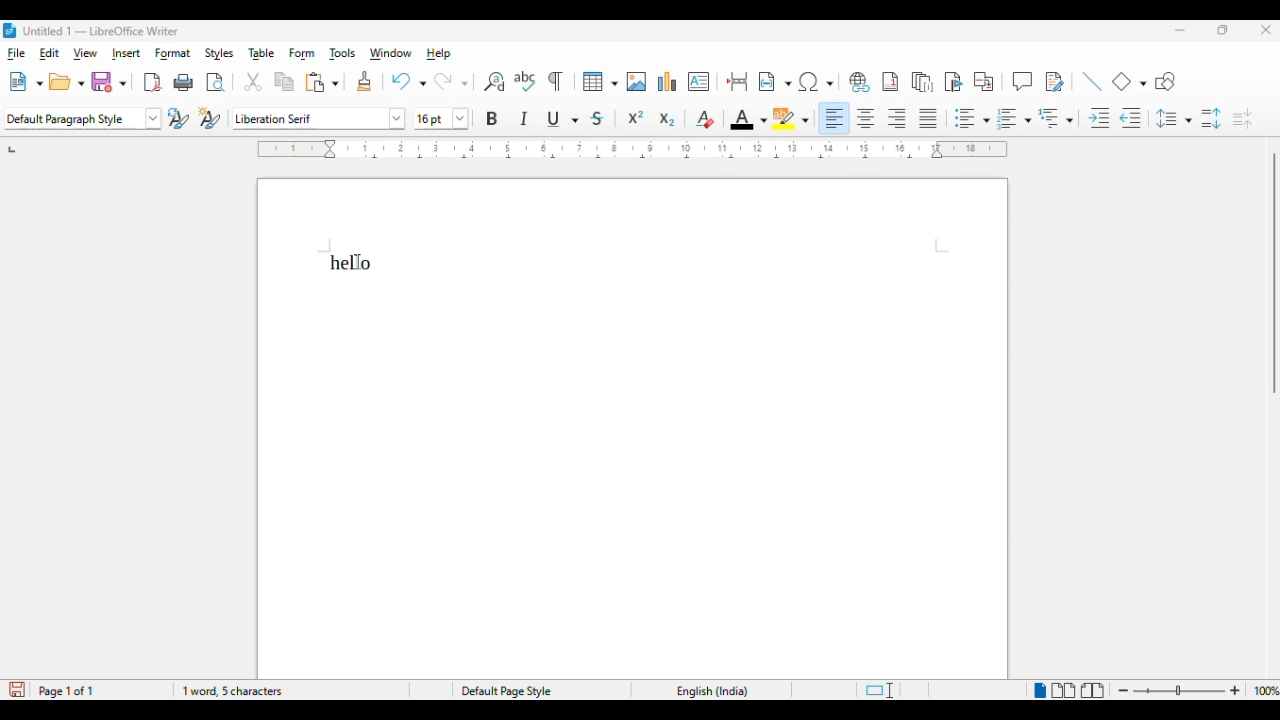 The width and height of the screenshot is (1280, 720). I want to click on superscript, so click(636, 117).